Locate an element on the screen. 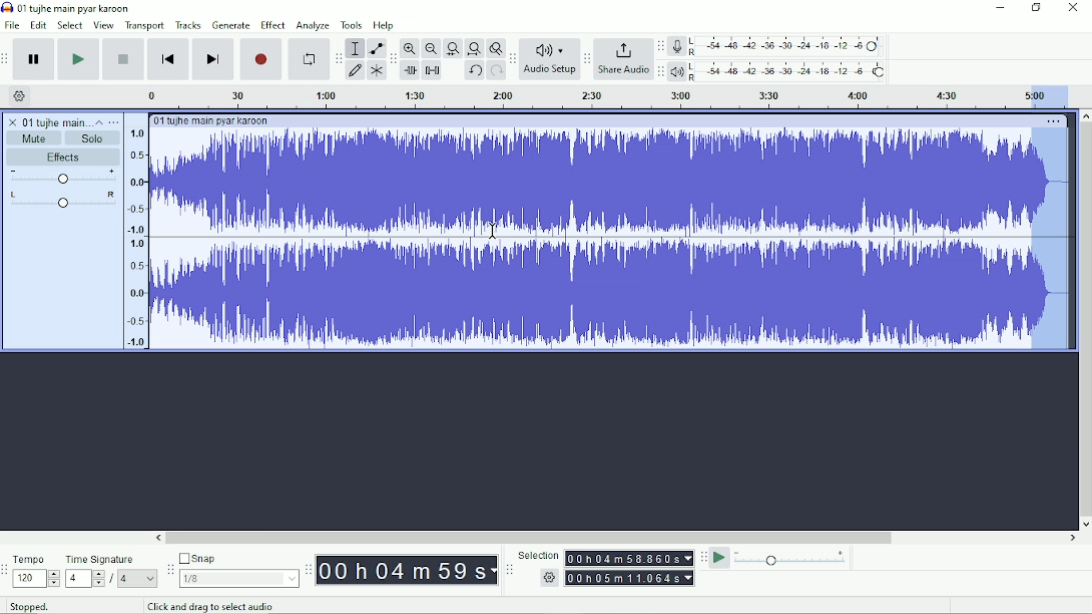 The image size is (1092, 614). Click and drag to select audio is located at coordinates (217, 606).